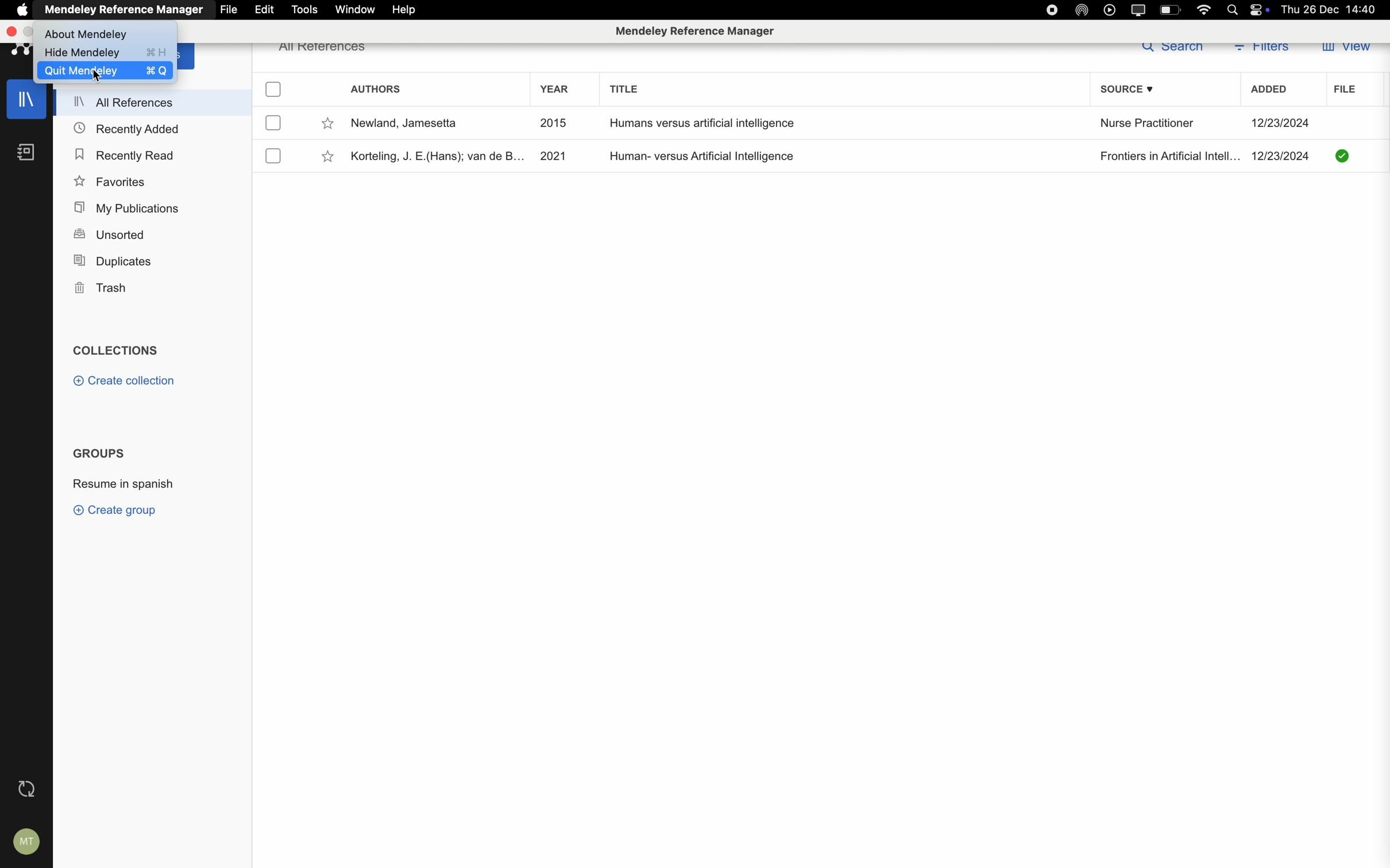 Image resolution: width=1390 pixels, height=868 pixels. Describe the element at coordinates (406, 123) in the screenshot. I see `Newland, Jamesetta` at that location.